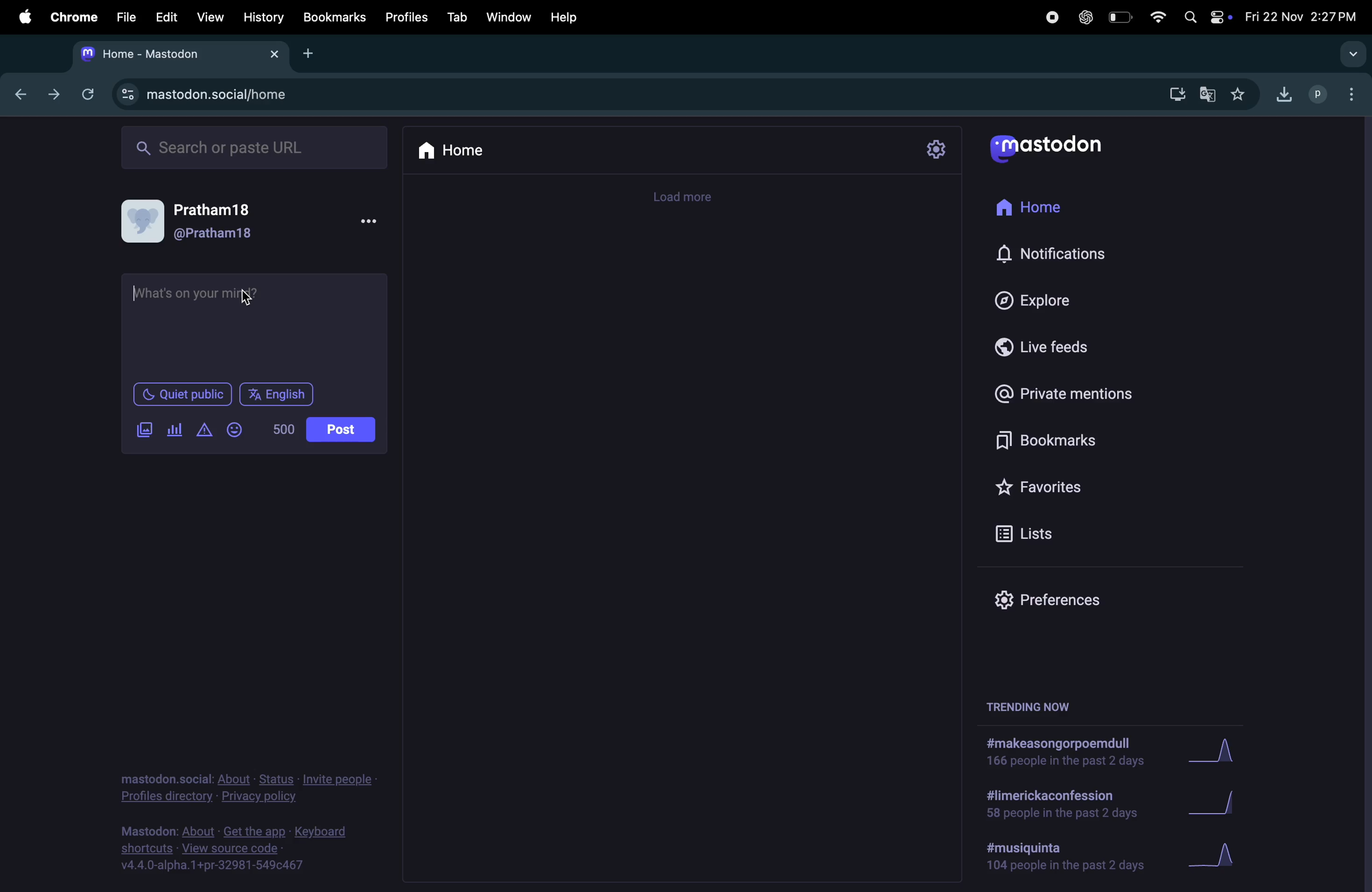 Image resolution: width=1372 pixels, height=892 pixels. I want to click on posts, so click(342, 429).